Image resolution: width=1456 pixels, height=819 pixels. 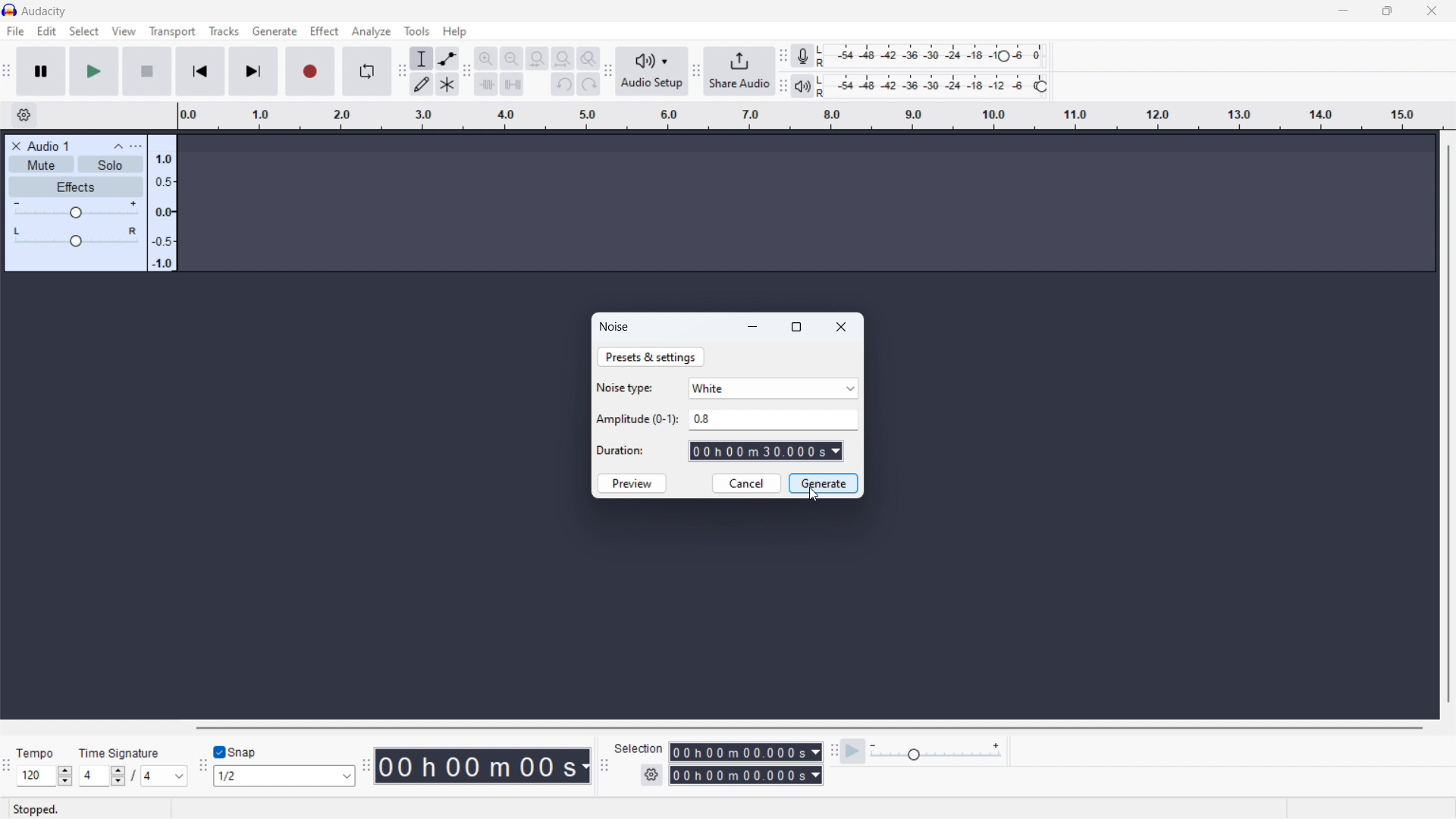 What do you see at coordinates (773, 388) in the screenshot?
I see `select noise type` at bounding box center [773, 388].